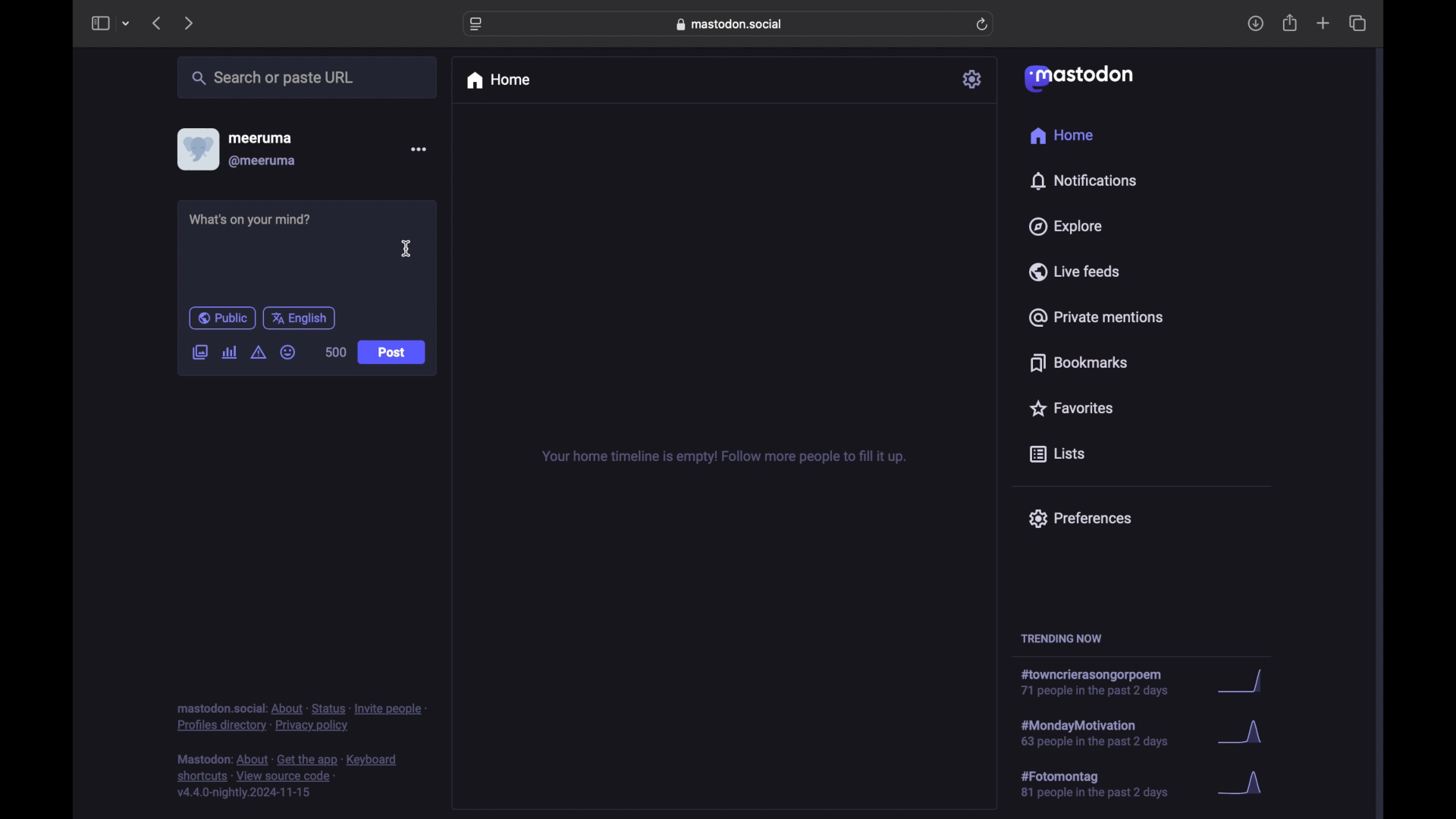 Image resolution: width=1456 pixels, height=819 pixels. Describe the element at coordinates (188, 24) in the screenshot. I see `next` at that location.